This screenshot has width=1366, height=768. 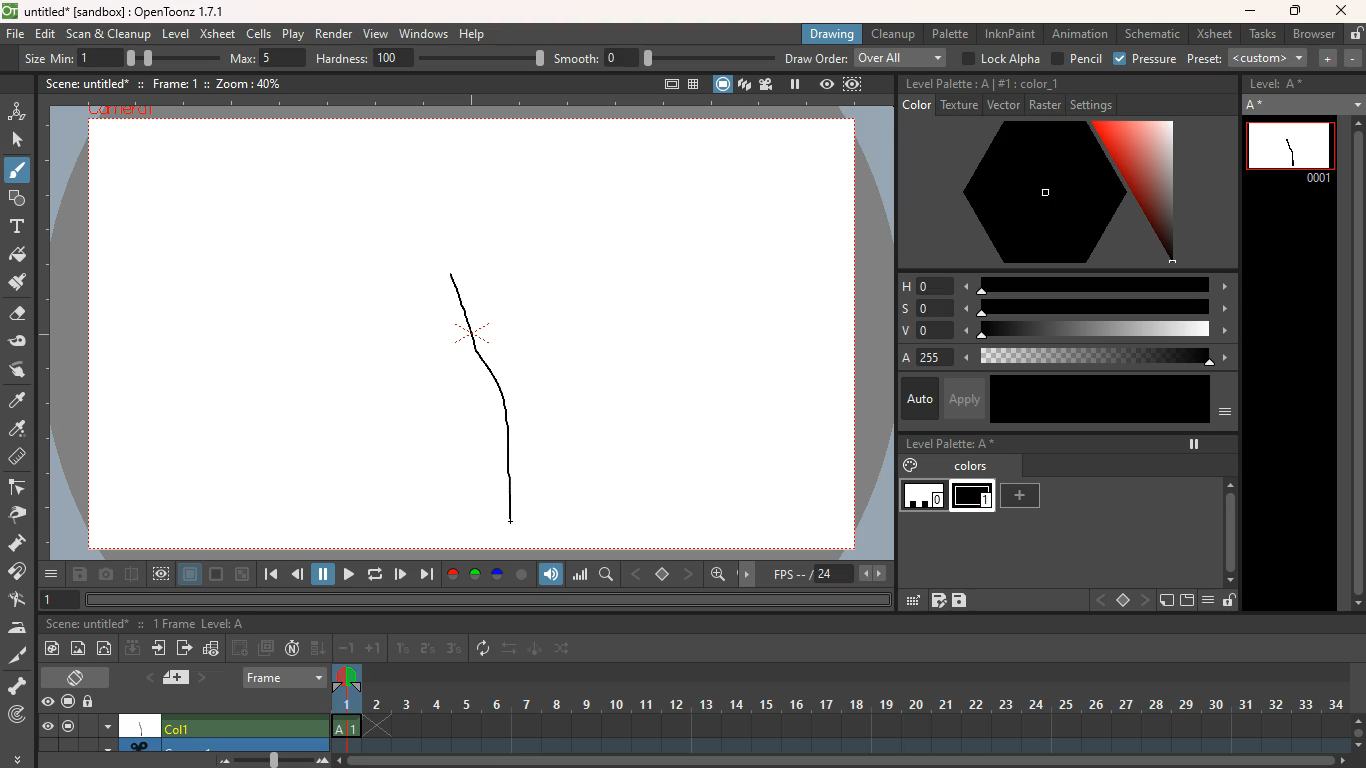 I want to click on grid, so click(x=938, y=602).